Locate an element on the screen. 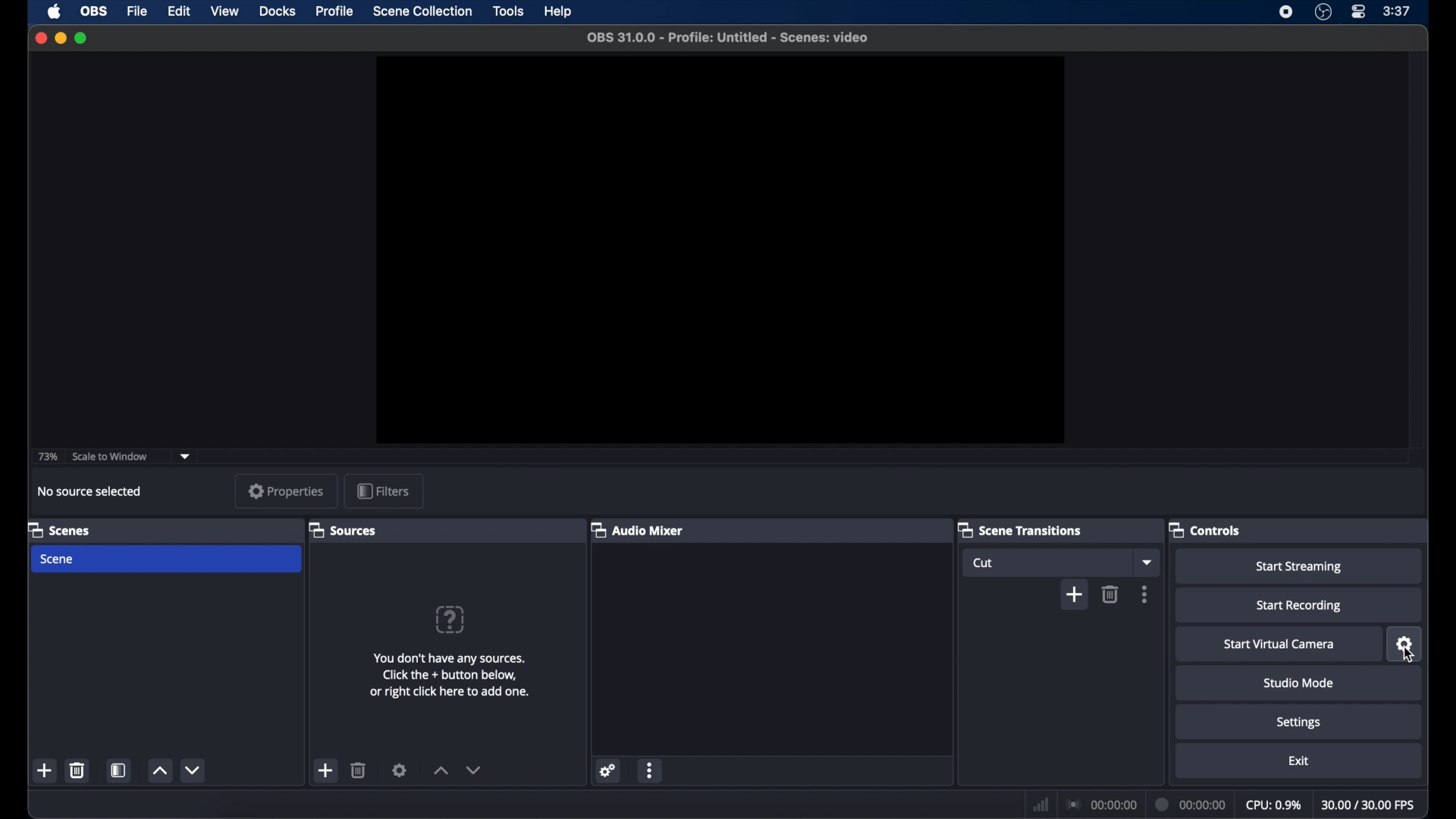 Image resolution: width=1456 pixels, height=819 pixels. exit is located at coordinates (1298, 761).